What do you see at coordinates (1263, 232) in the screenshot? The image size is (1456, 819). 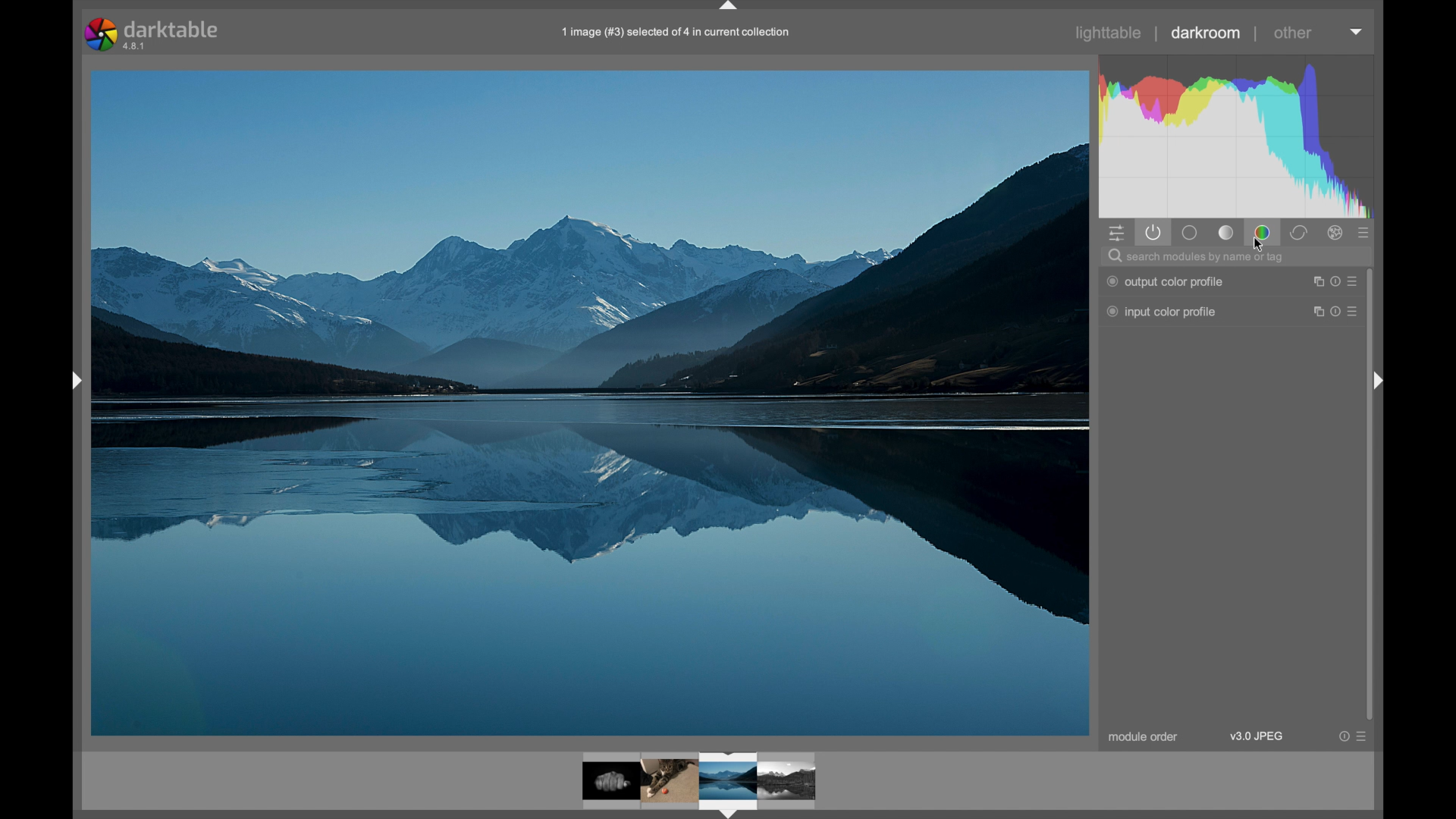 I see `color` at bounding box center [1263, 232].